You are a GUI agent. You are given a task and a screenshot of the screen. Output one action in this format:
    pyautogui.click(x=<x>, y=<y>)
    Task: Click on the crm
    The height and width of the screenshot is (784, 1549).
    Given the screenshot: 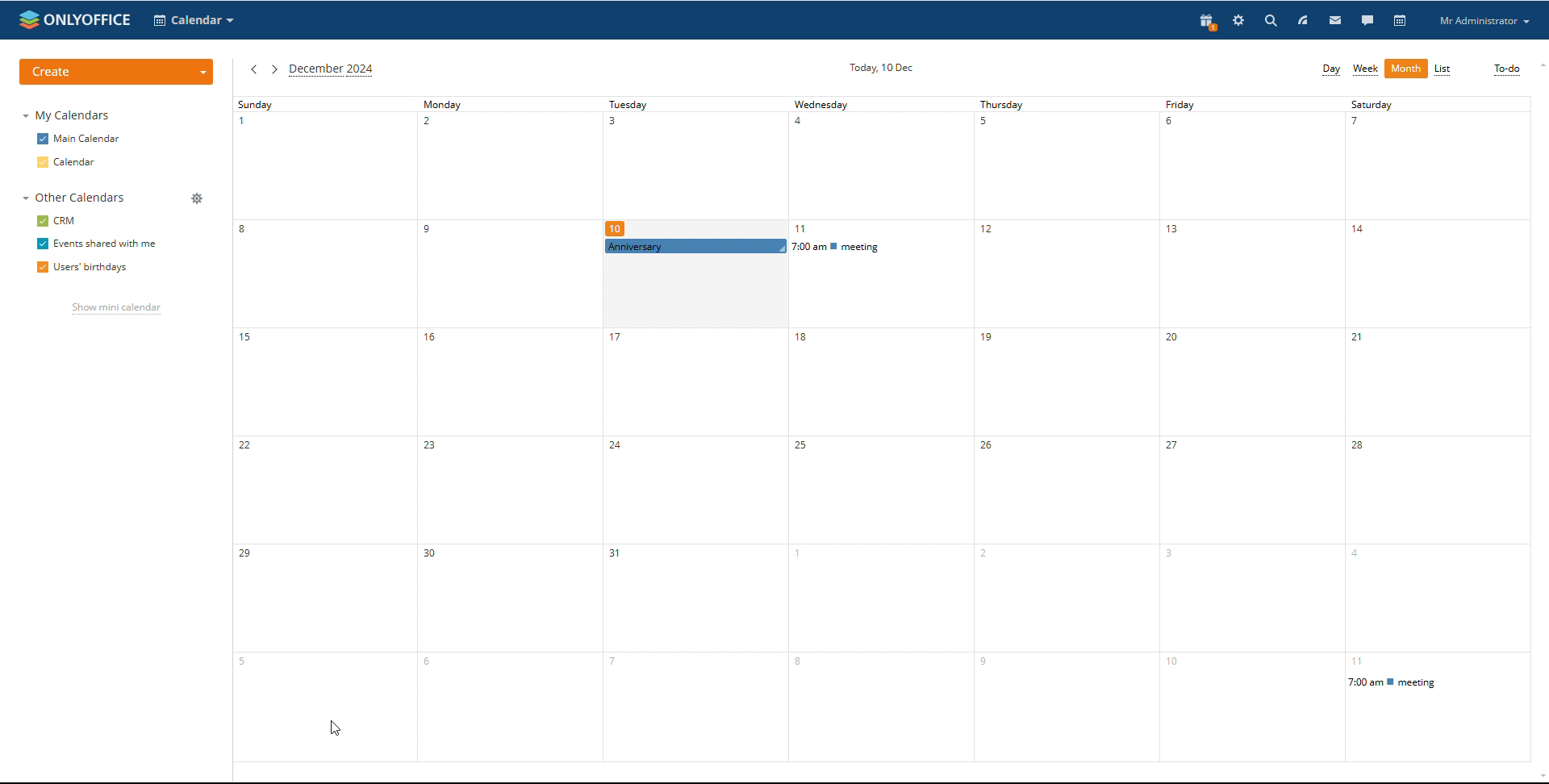 What is the action you would take?
    pyautogui.click(x=56, y=221)
    